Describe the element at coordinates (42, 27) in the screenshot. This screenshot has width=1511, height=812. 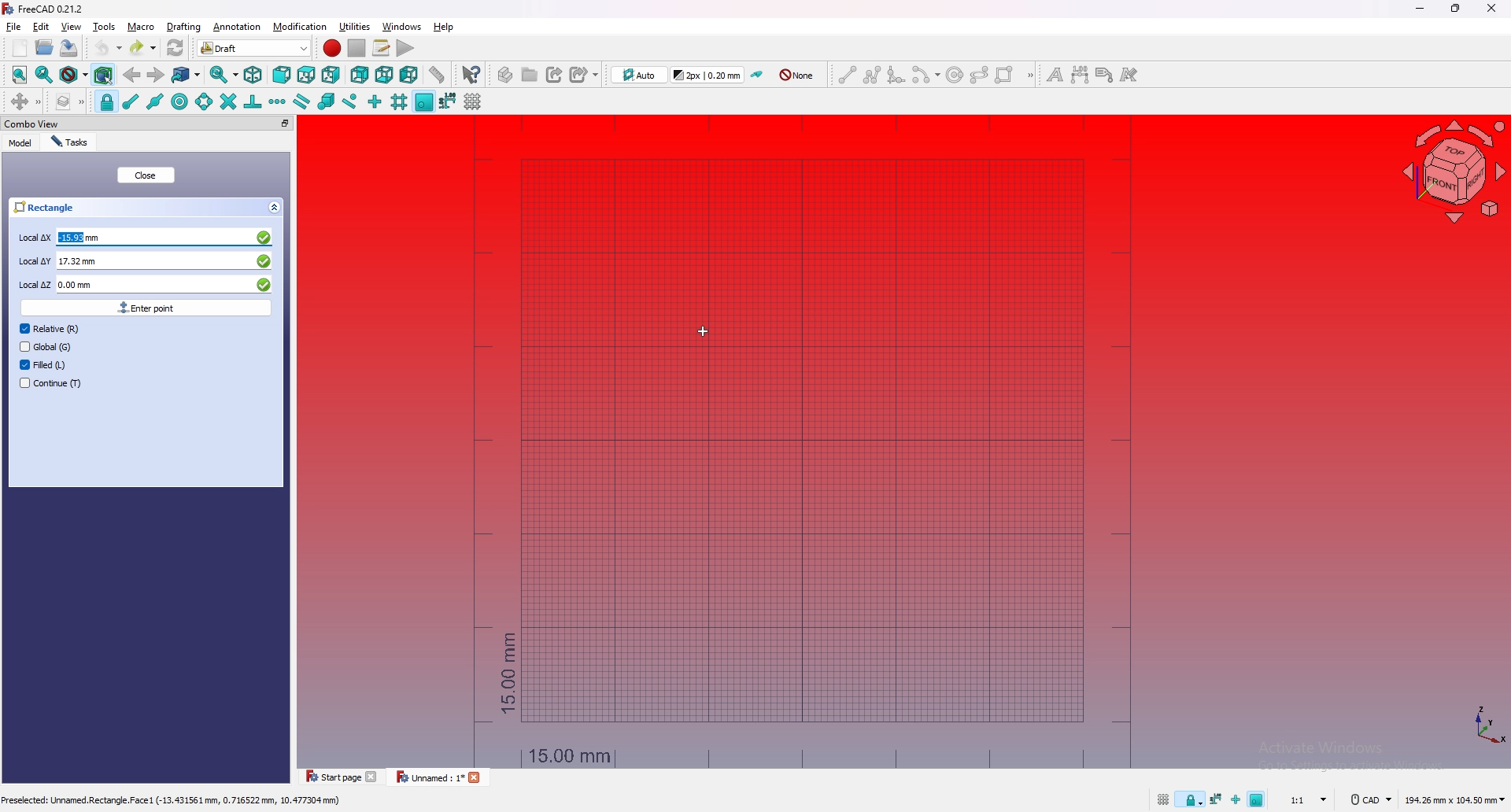
I see `edit` at that location.